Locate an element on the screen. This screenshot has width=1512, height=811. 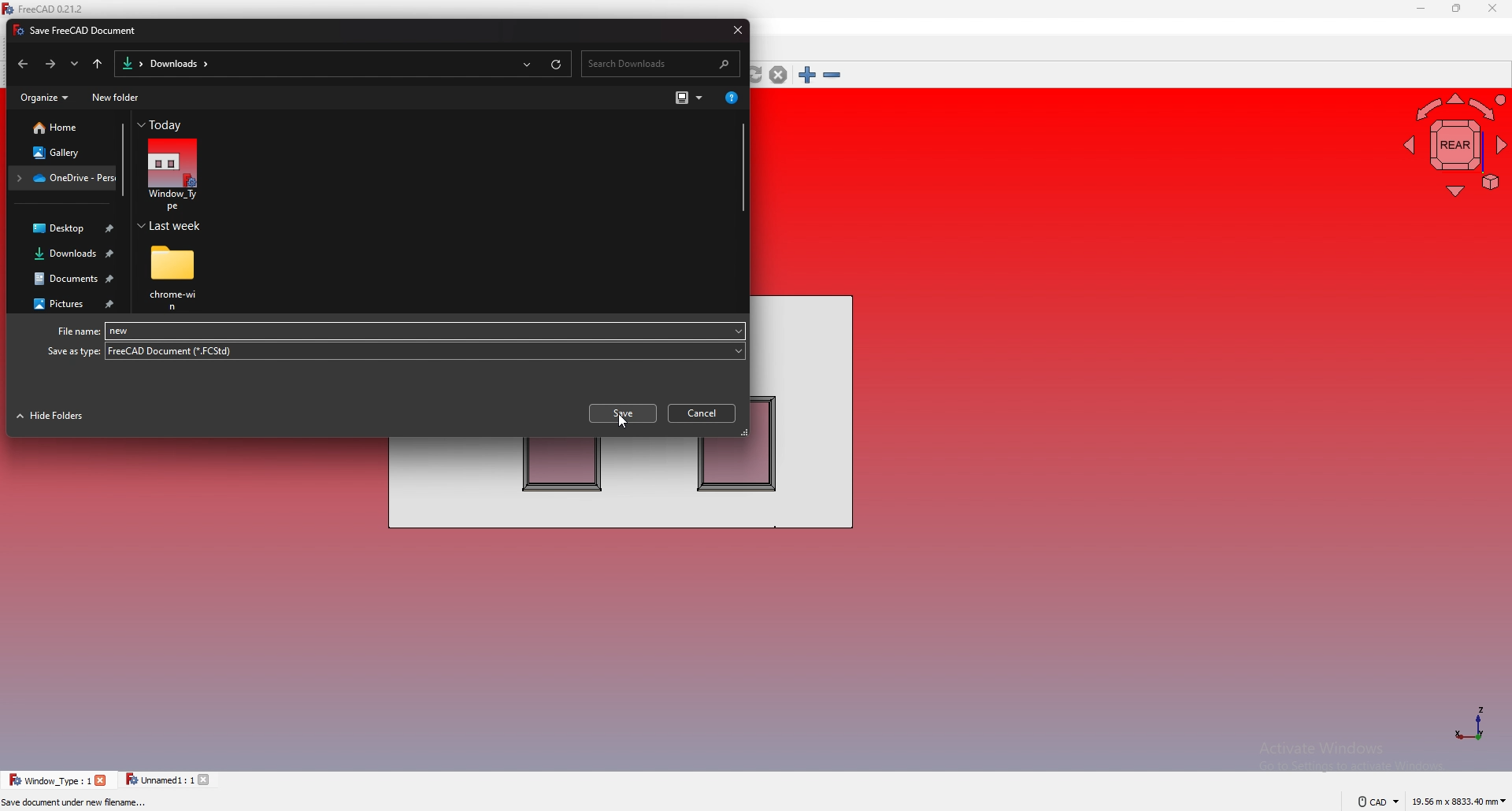
cancel is located at coordinates (704, 412).